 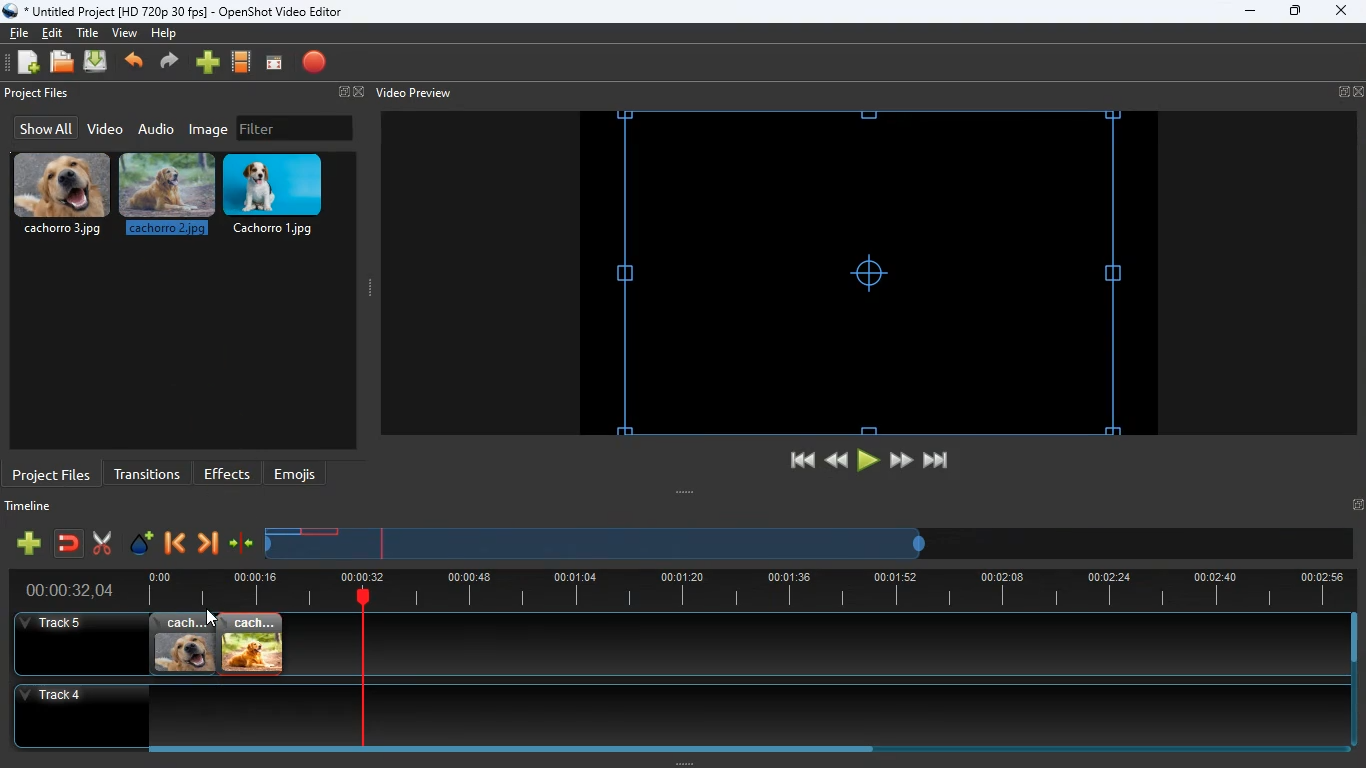 What do you see at coordinates (207, 545) in the screenshot?
I see `forward` at bounding box center [207, 545].